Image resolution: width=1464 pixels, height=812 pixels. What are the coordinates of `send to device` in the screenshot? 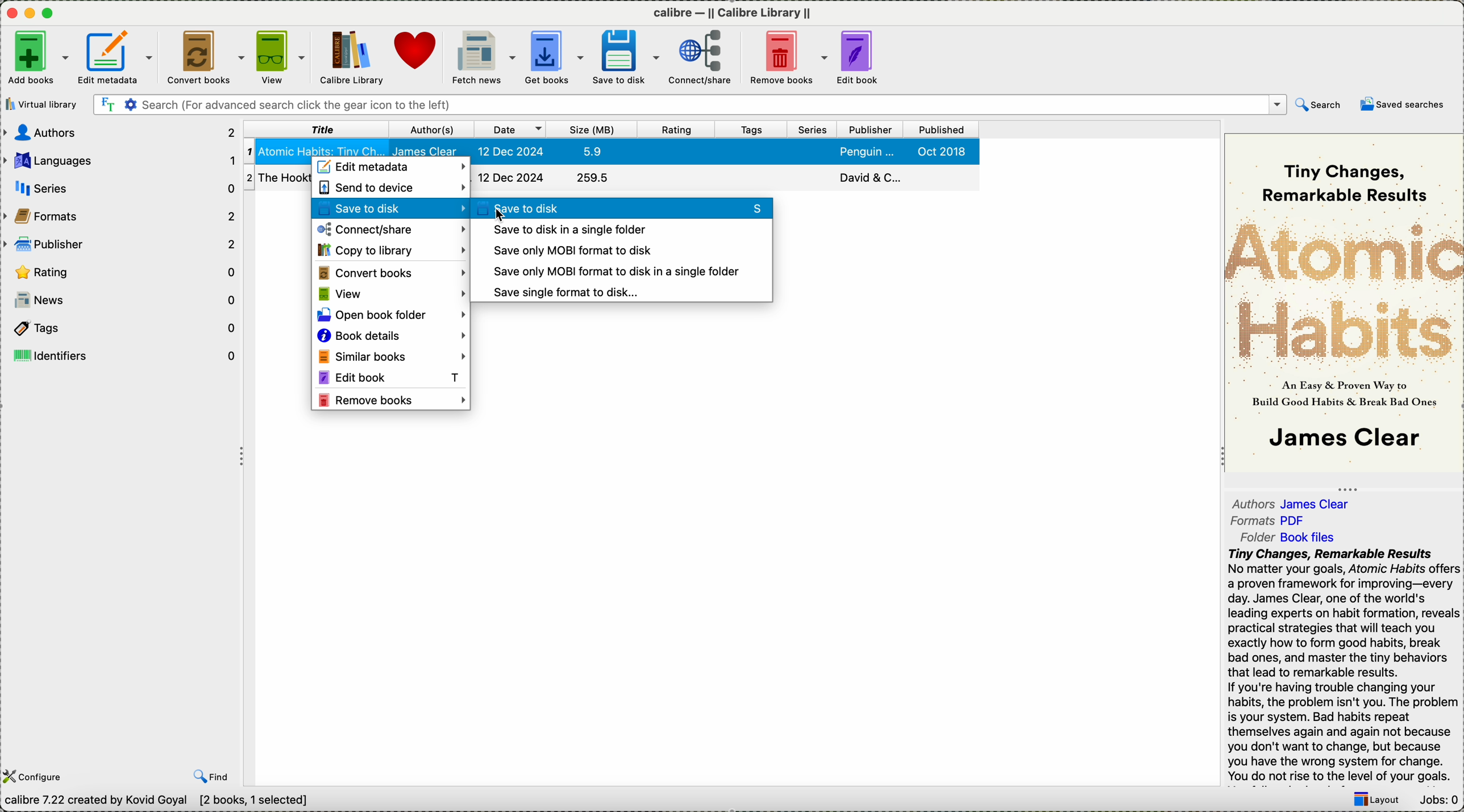 It's located at (390, 190).